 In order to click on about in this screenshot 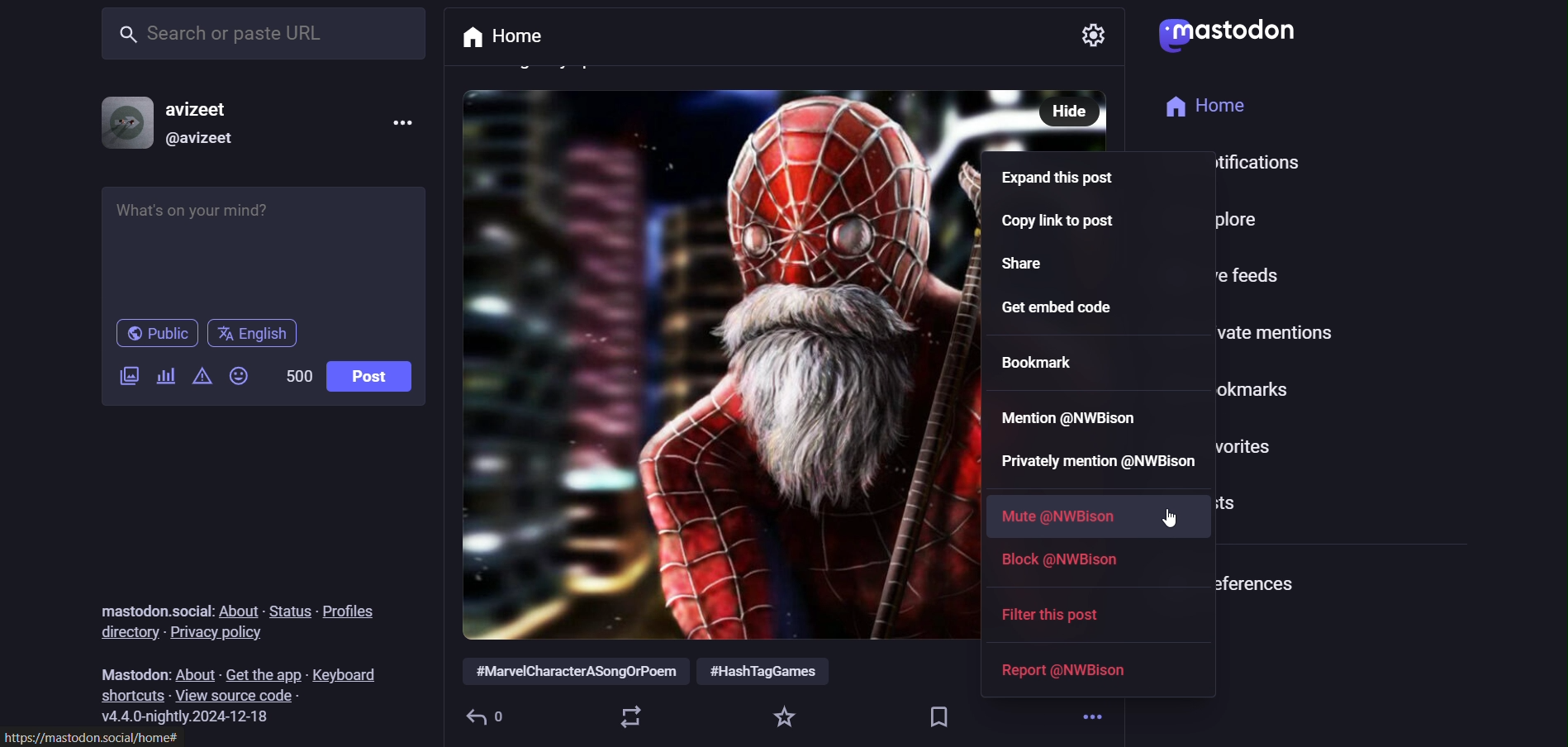, I will do `click(195, 671)`.